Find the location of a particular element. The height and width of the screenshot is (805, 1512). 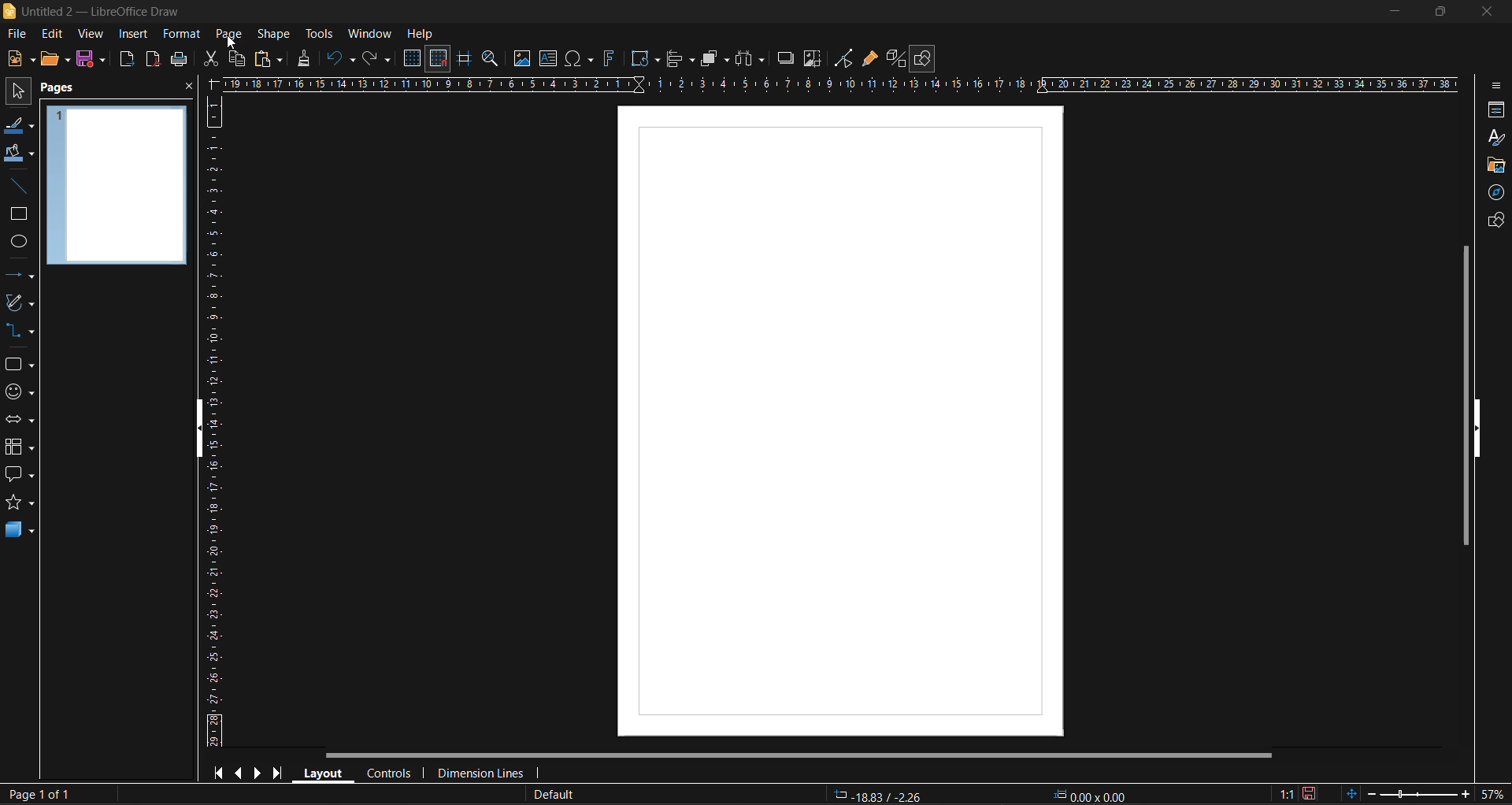

previous is located at coordinates (241, 772).